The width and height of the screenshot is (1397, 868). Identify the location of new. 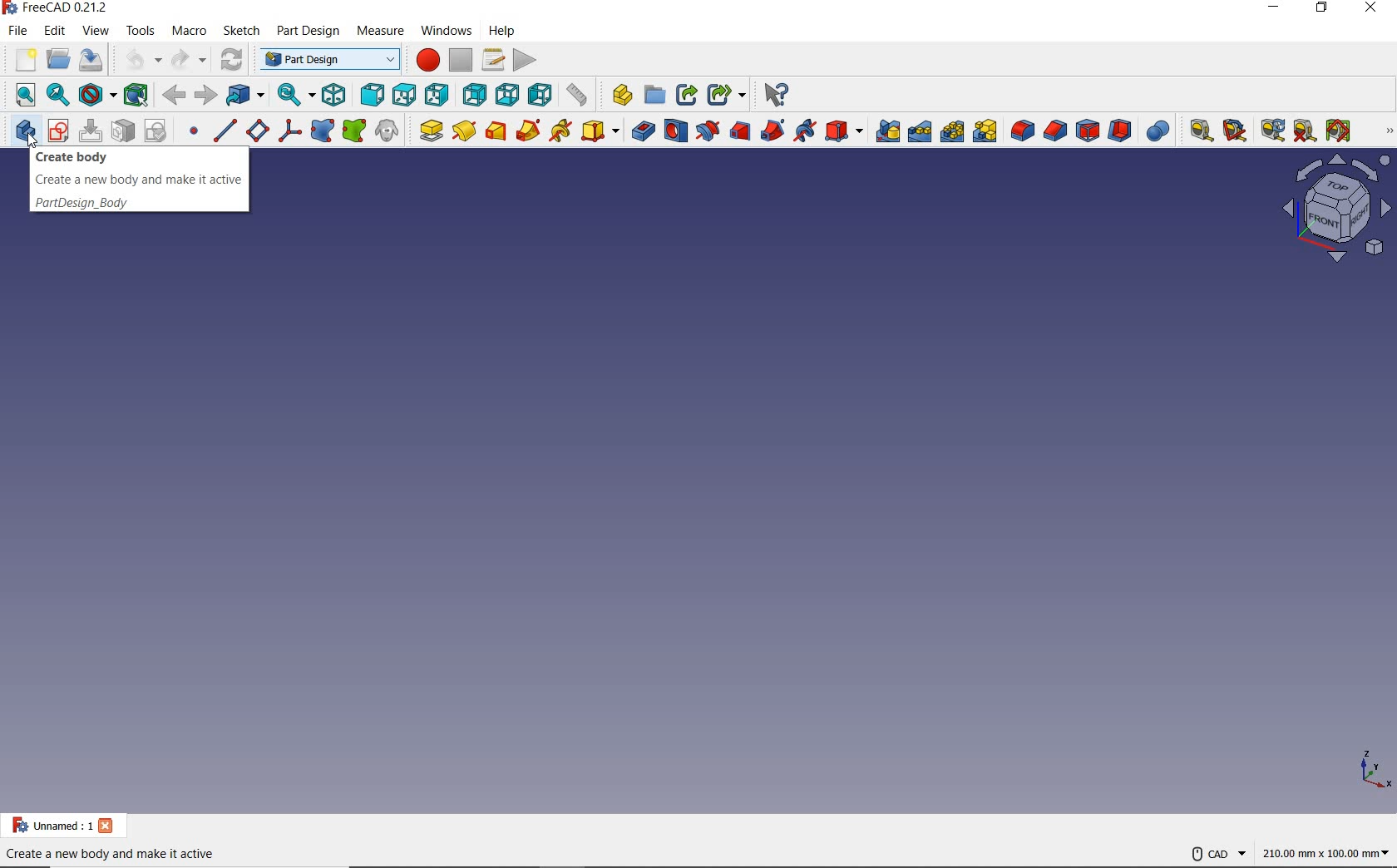
(22, 61).